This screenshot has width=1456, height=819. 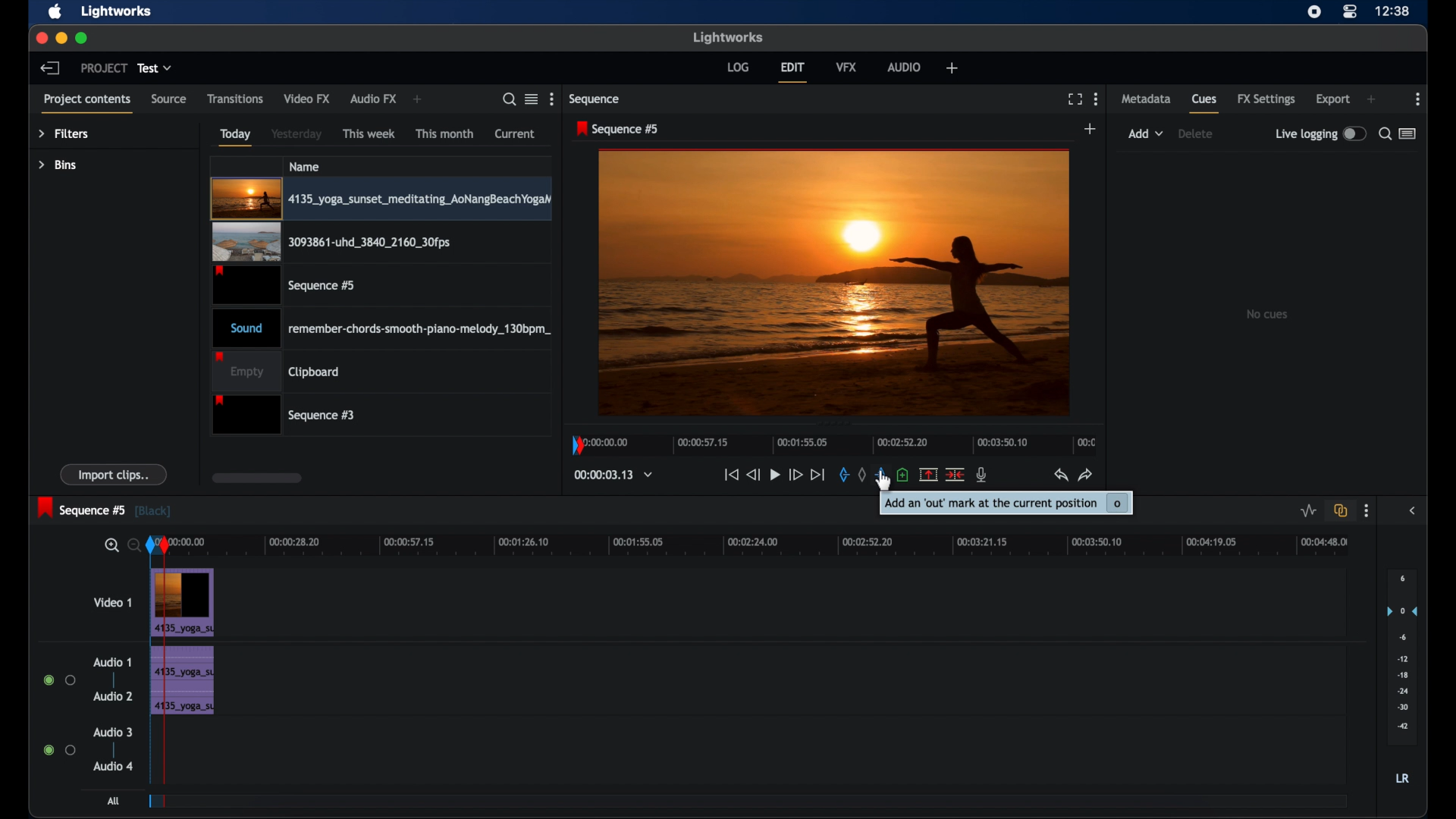 I want to click on audio clip, so click(x=181, y=661).